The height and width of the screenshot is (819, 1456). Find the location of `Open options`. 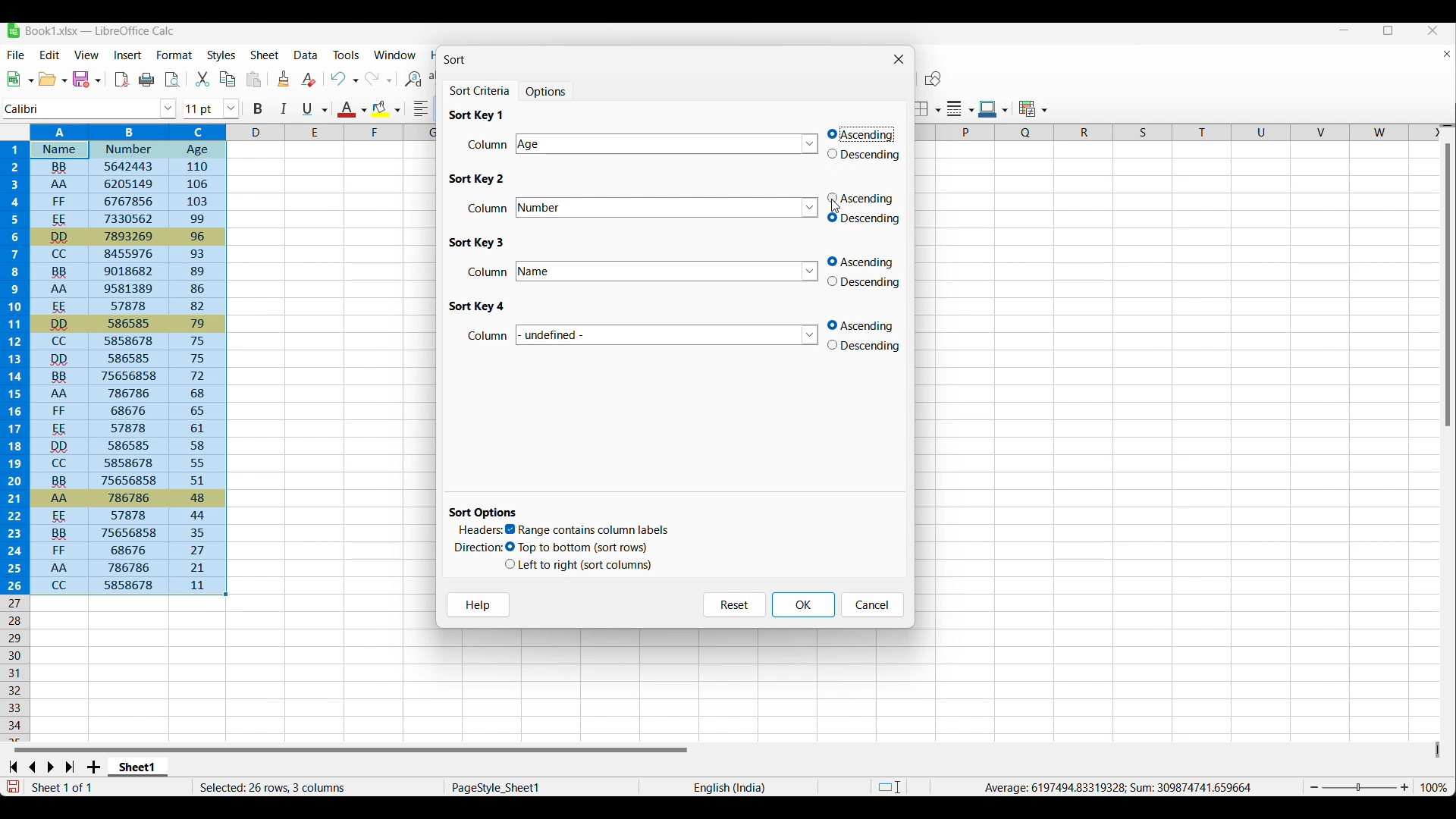

Open options is located at coordinates (52, 79).